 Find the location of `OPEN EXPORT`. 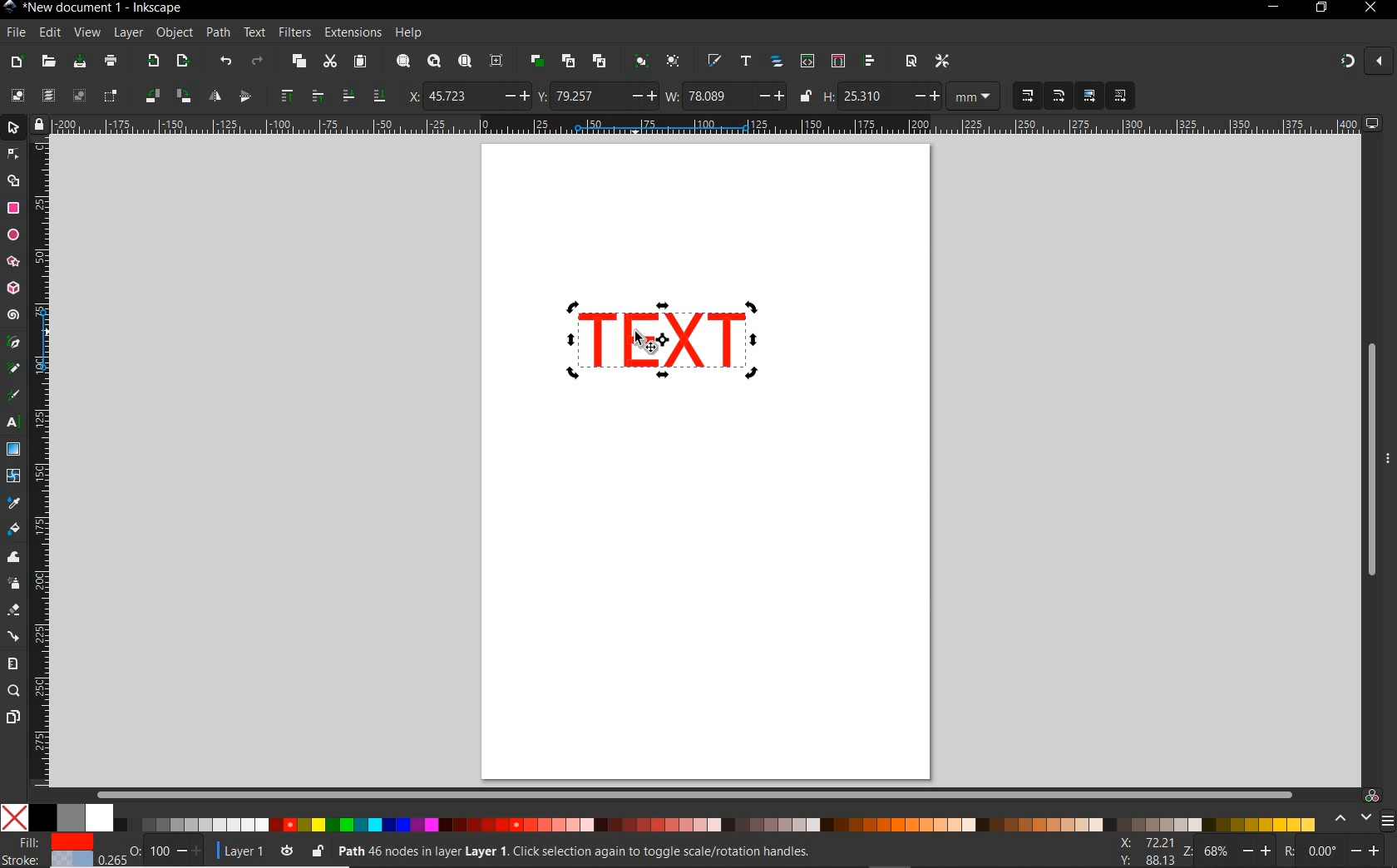

OPEN EXPORT is located at coordinates (184, 62).